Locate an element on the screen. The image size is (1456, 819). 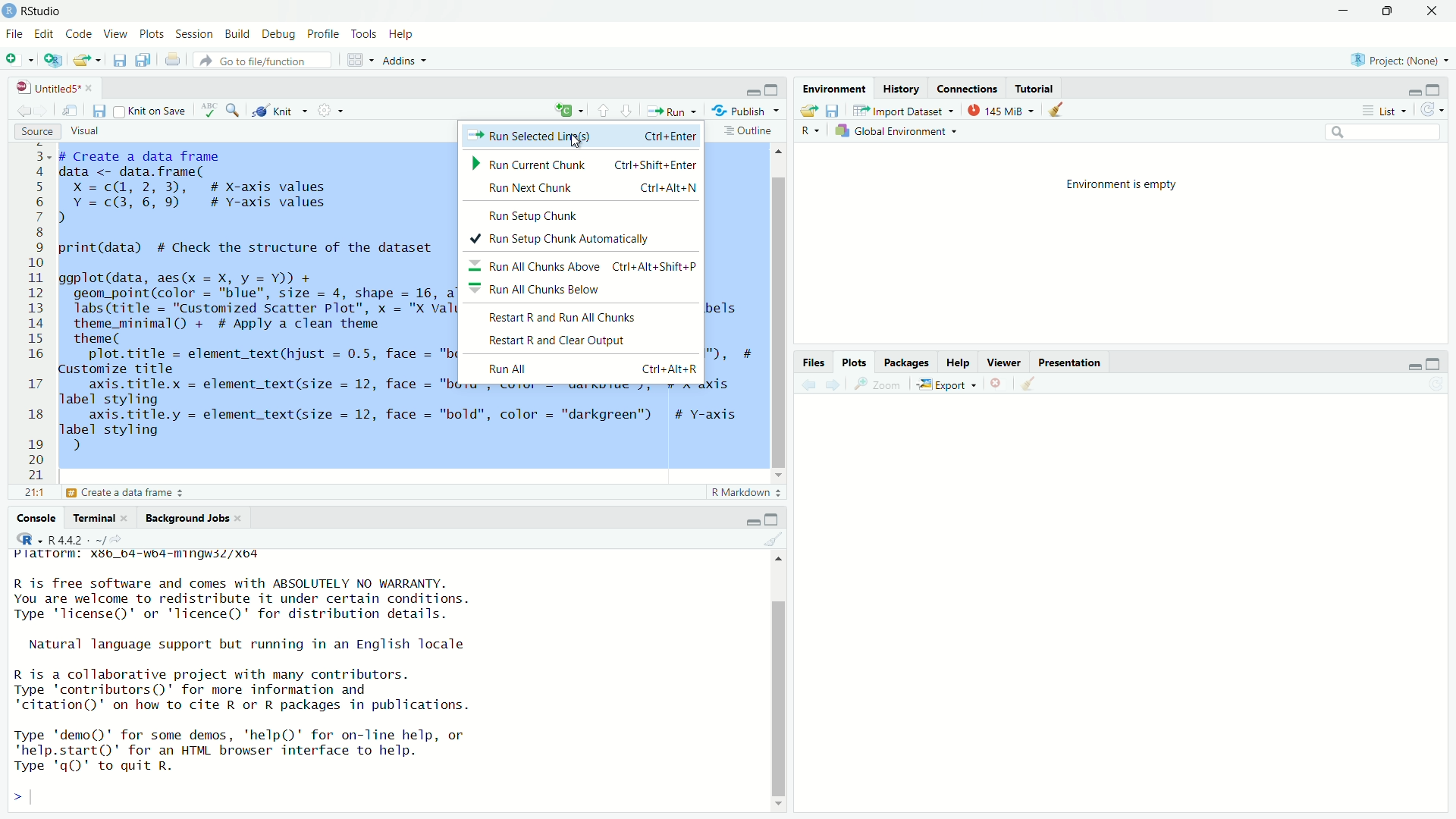
R Markdown is located at coordinates (746, 494).